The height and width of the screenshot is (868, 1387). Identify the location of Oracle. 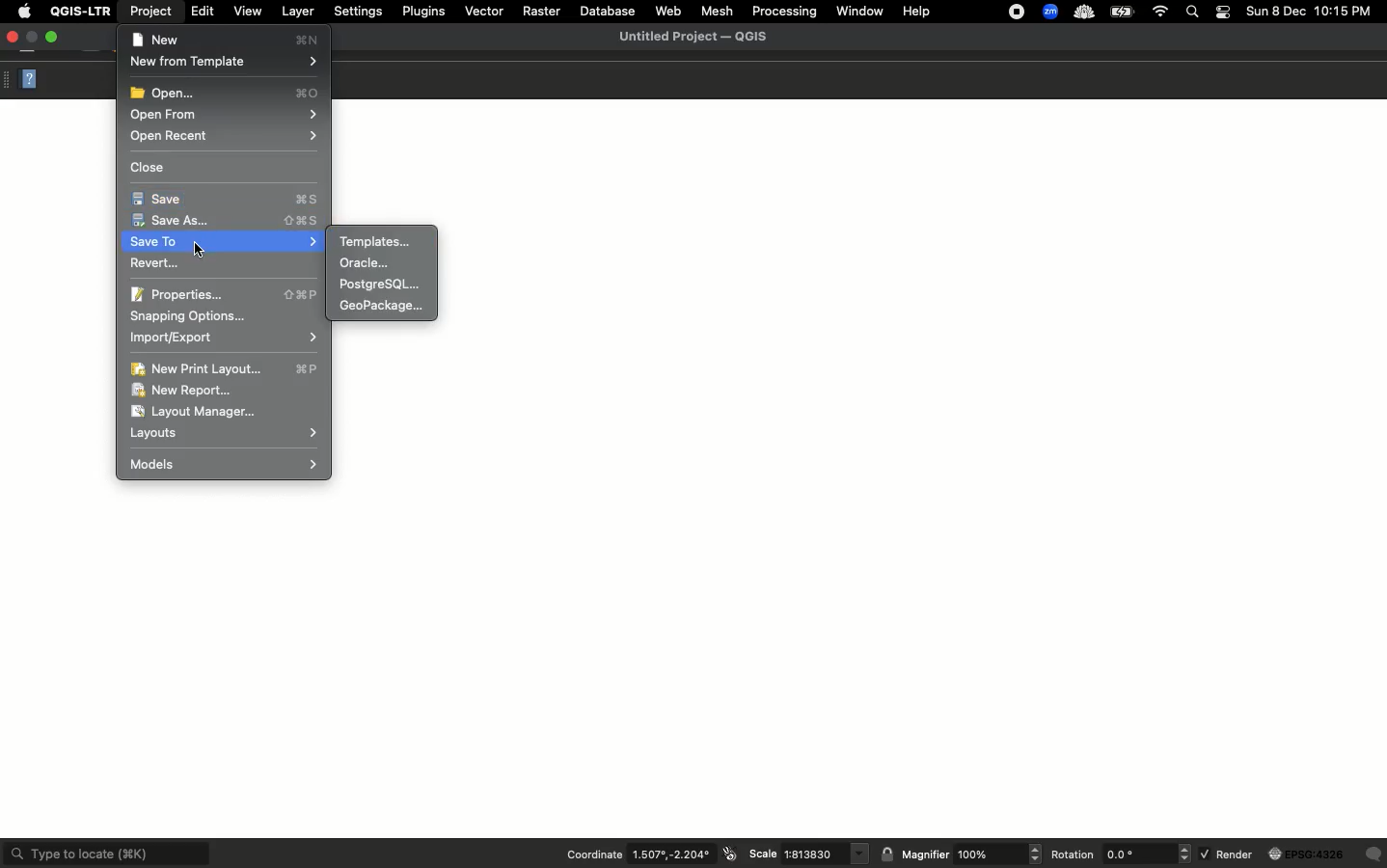
(365, 263).